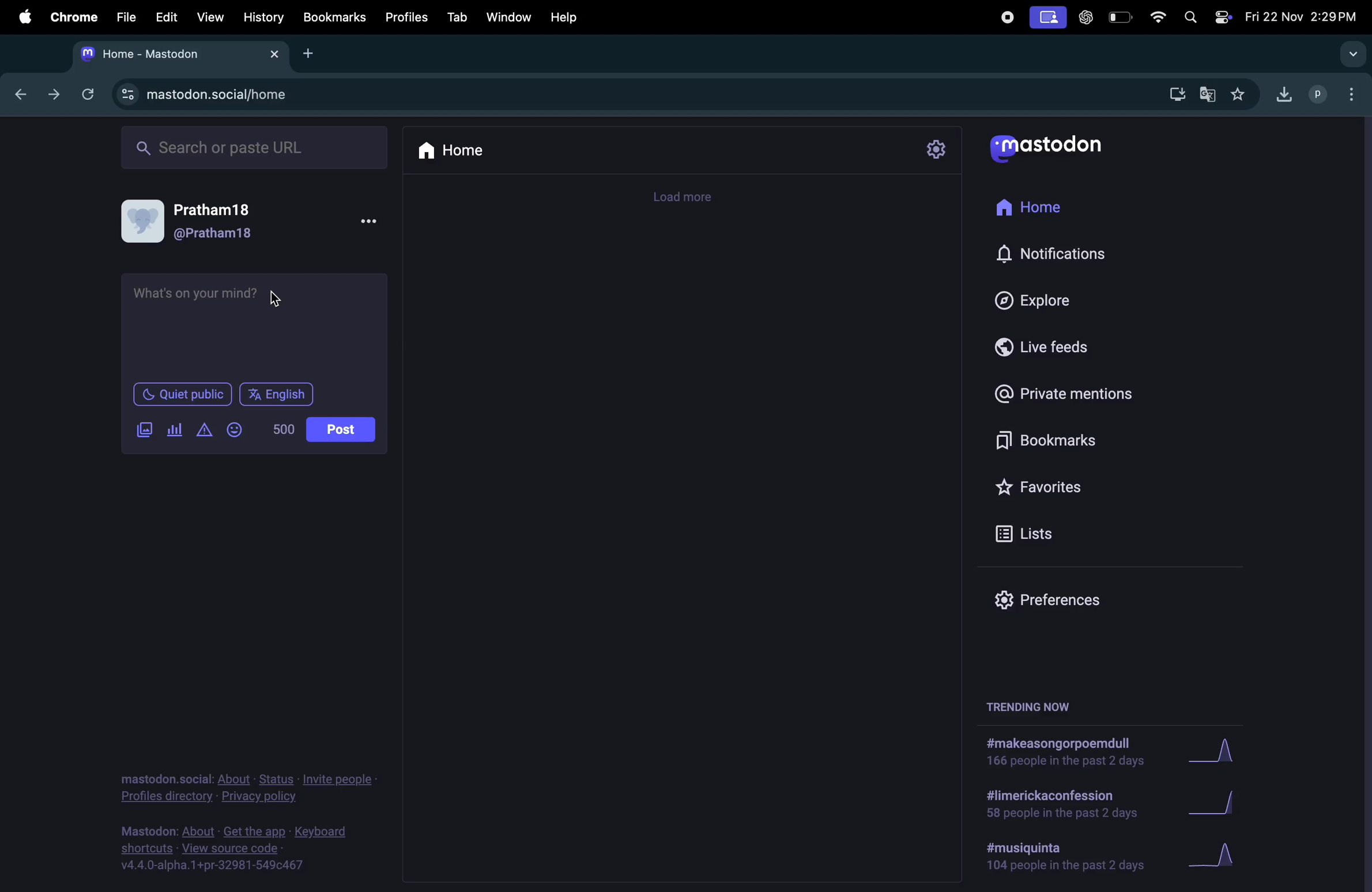  I want to click on favorites, so click(1242, 95).